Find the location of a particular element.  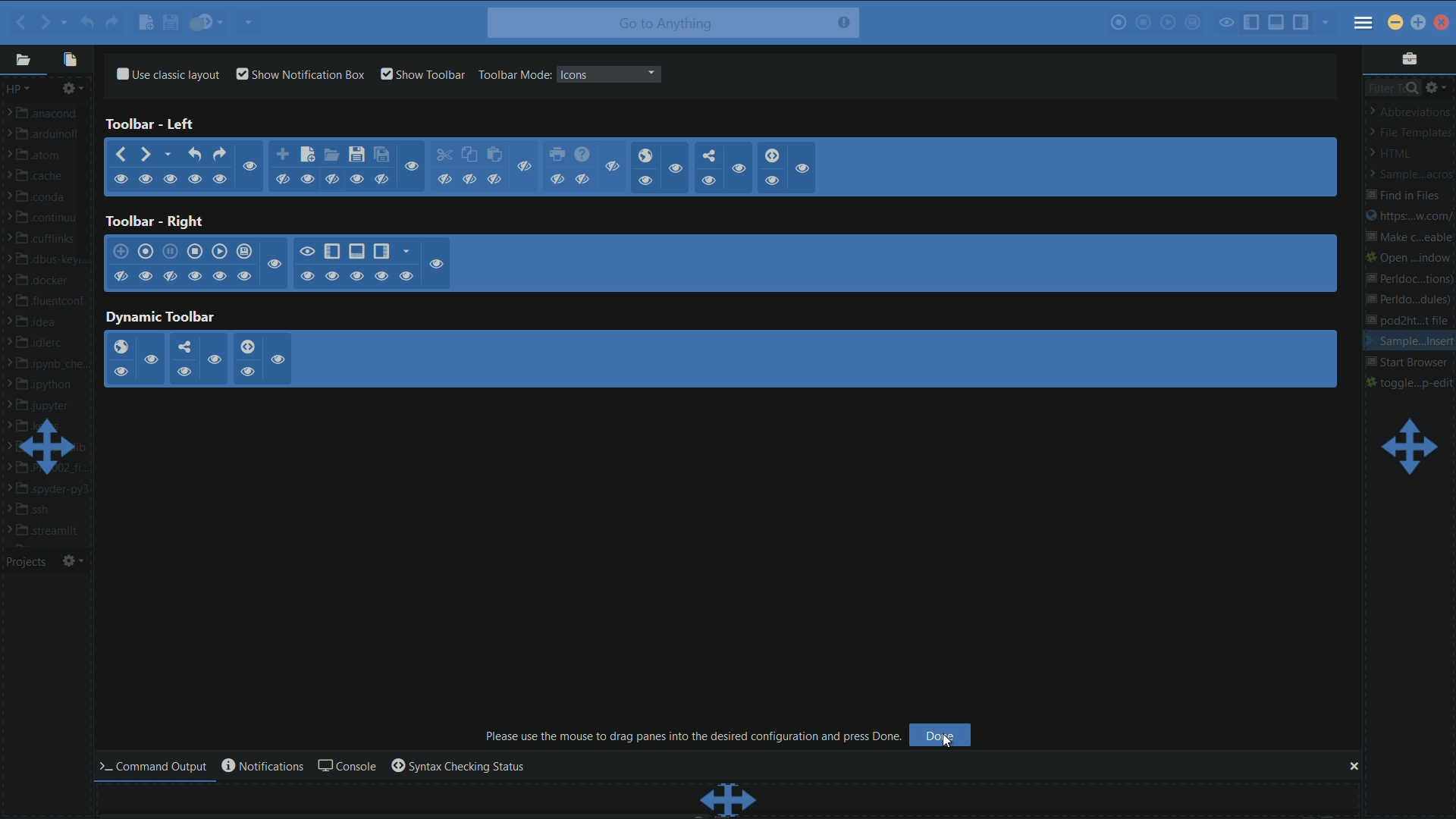

use classic layout is located at coordinates (166, 73).